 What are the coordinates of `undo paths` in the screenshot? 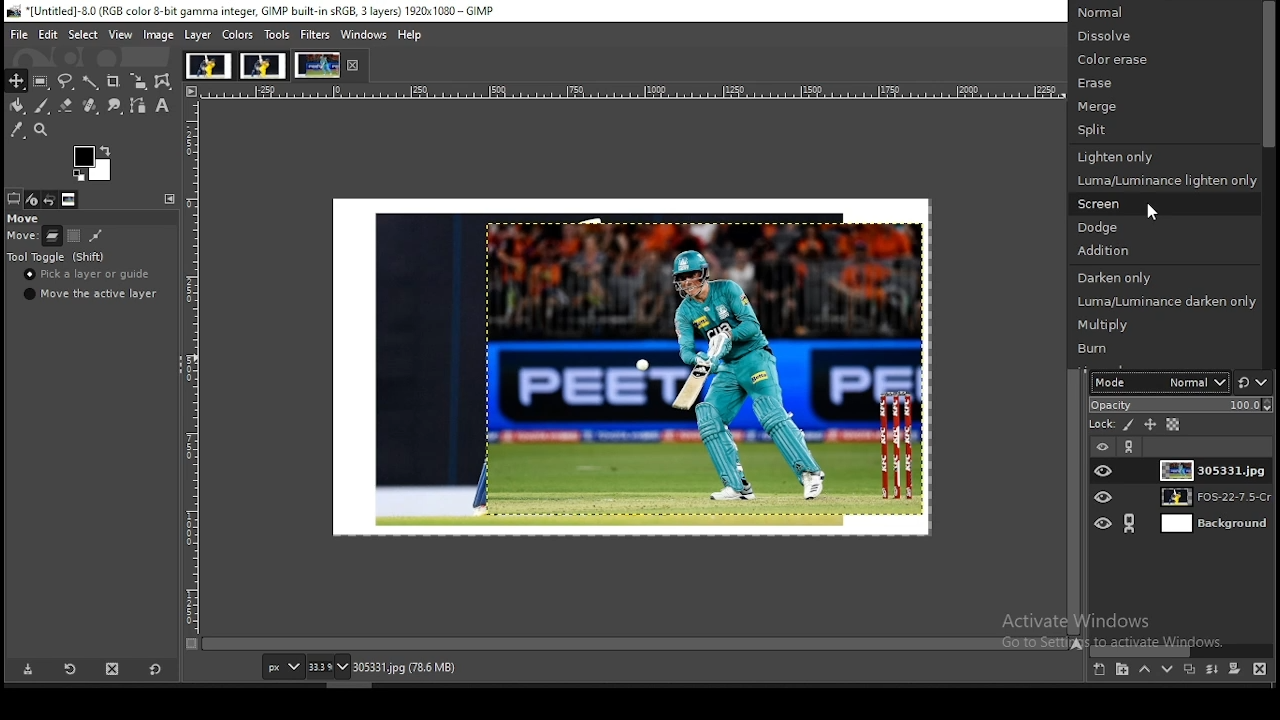 It's located at (96, 235).